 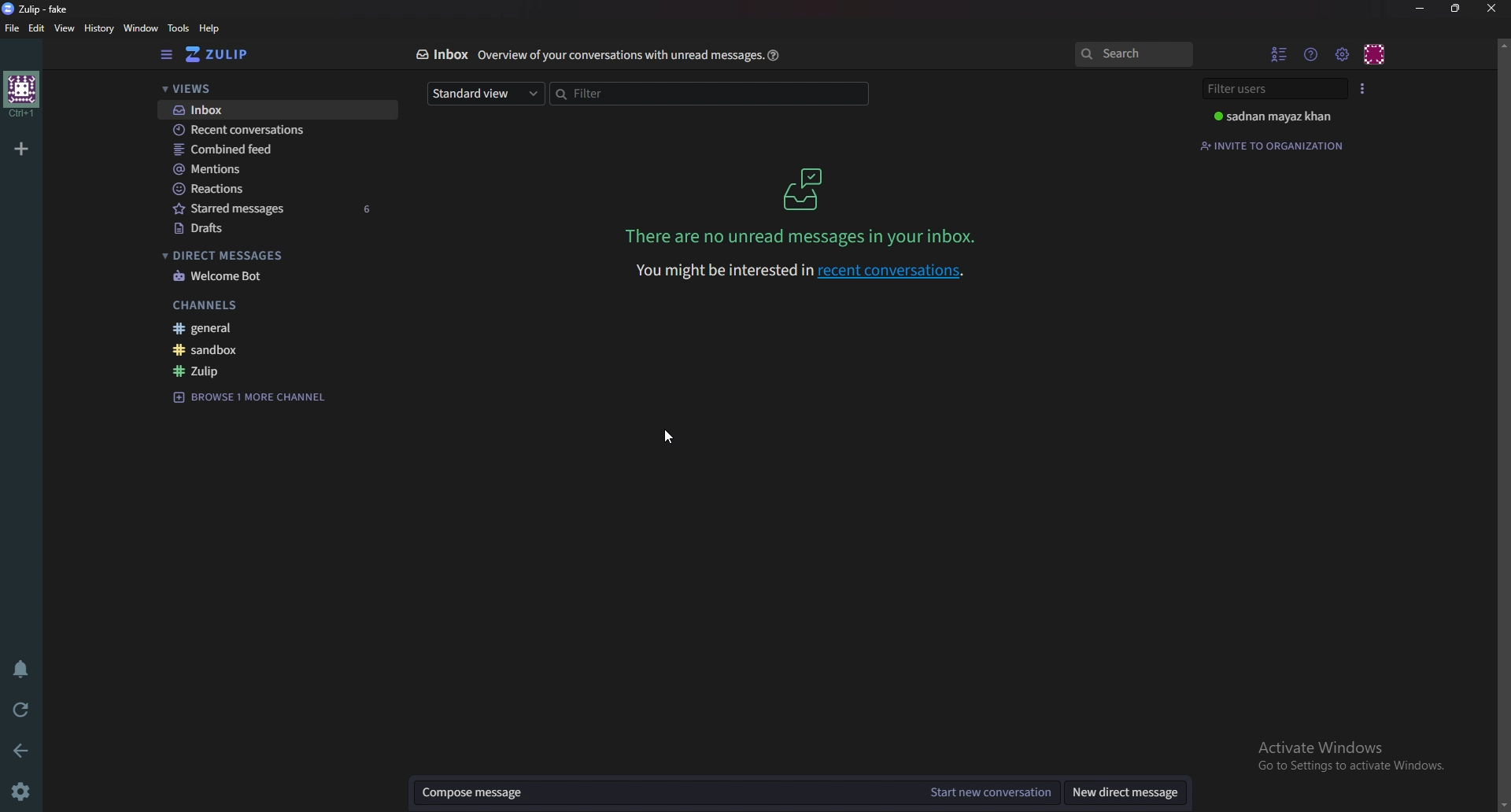 I want to click on Invite to organization, so click(x=1276, y=144).